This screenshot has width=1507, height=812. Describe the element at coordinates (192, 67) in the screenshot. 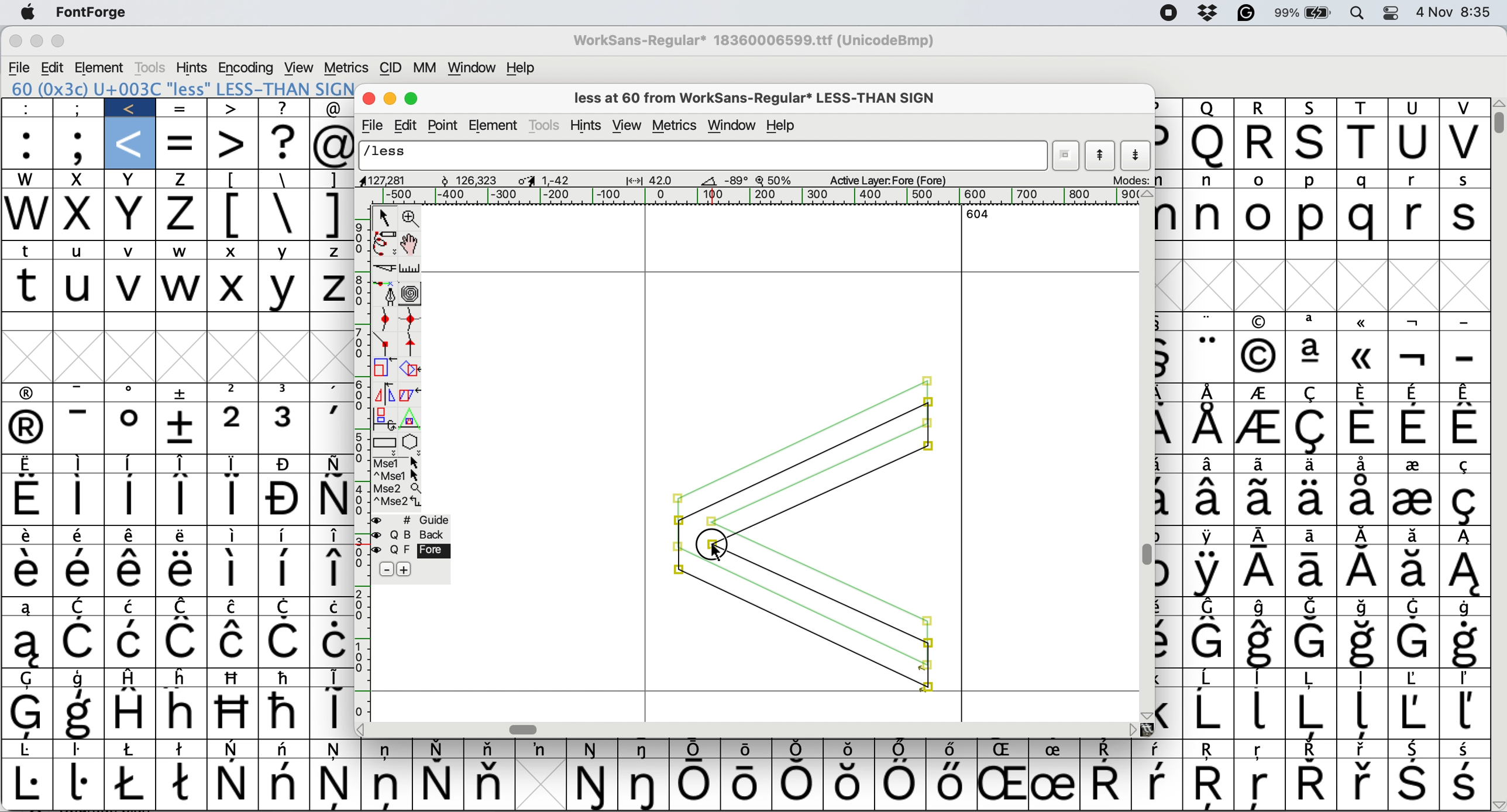

I see `hints` at that location.